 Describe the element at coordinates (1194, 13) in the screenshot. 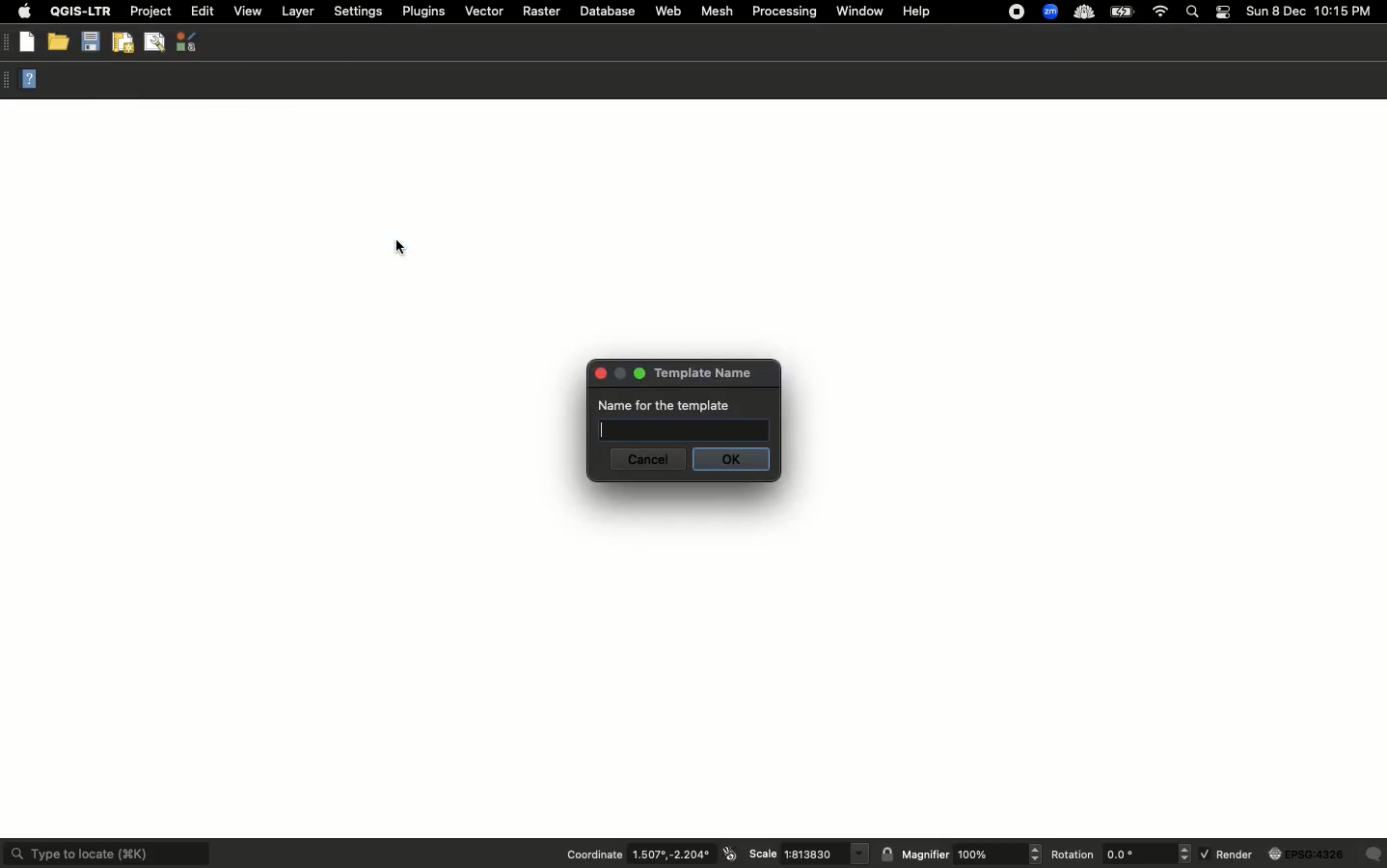

I see `Search` at that location.